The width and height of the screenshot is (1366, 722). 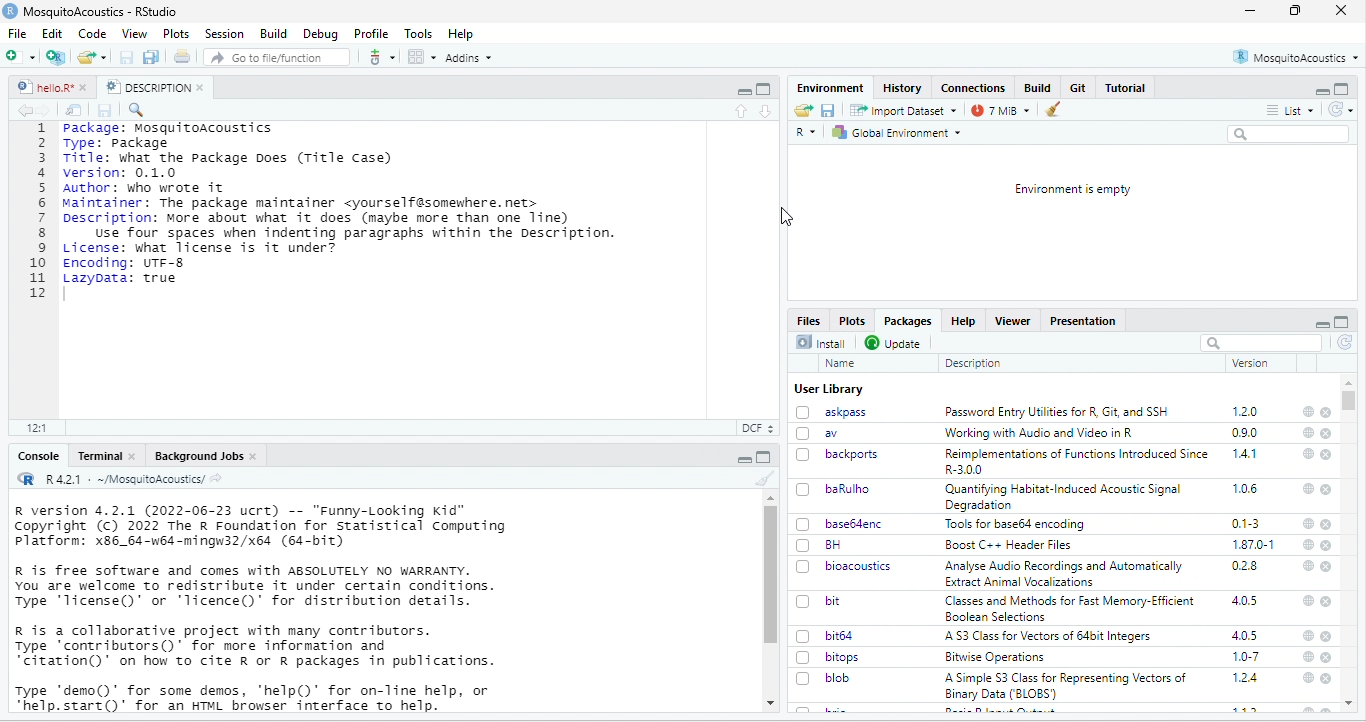 What do you see at coordinates (1328, 545) in the screenshot?
I see `close` at bounding box center [1328, 545].